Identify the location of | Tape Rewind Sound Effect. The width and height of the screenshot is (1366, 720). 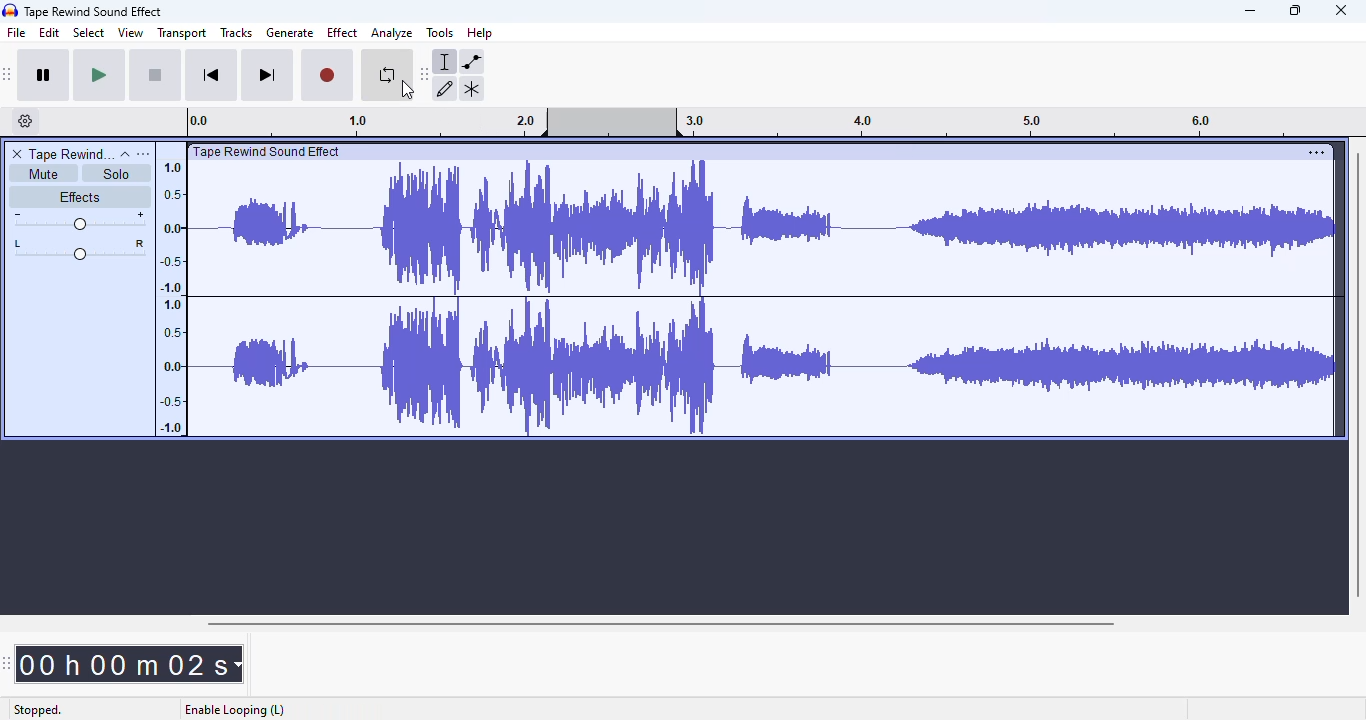
(266, 152).